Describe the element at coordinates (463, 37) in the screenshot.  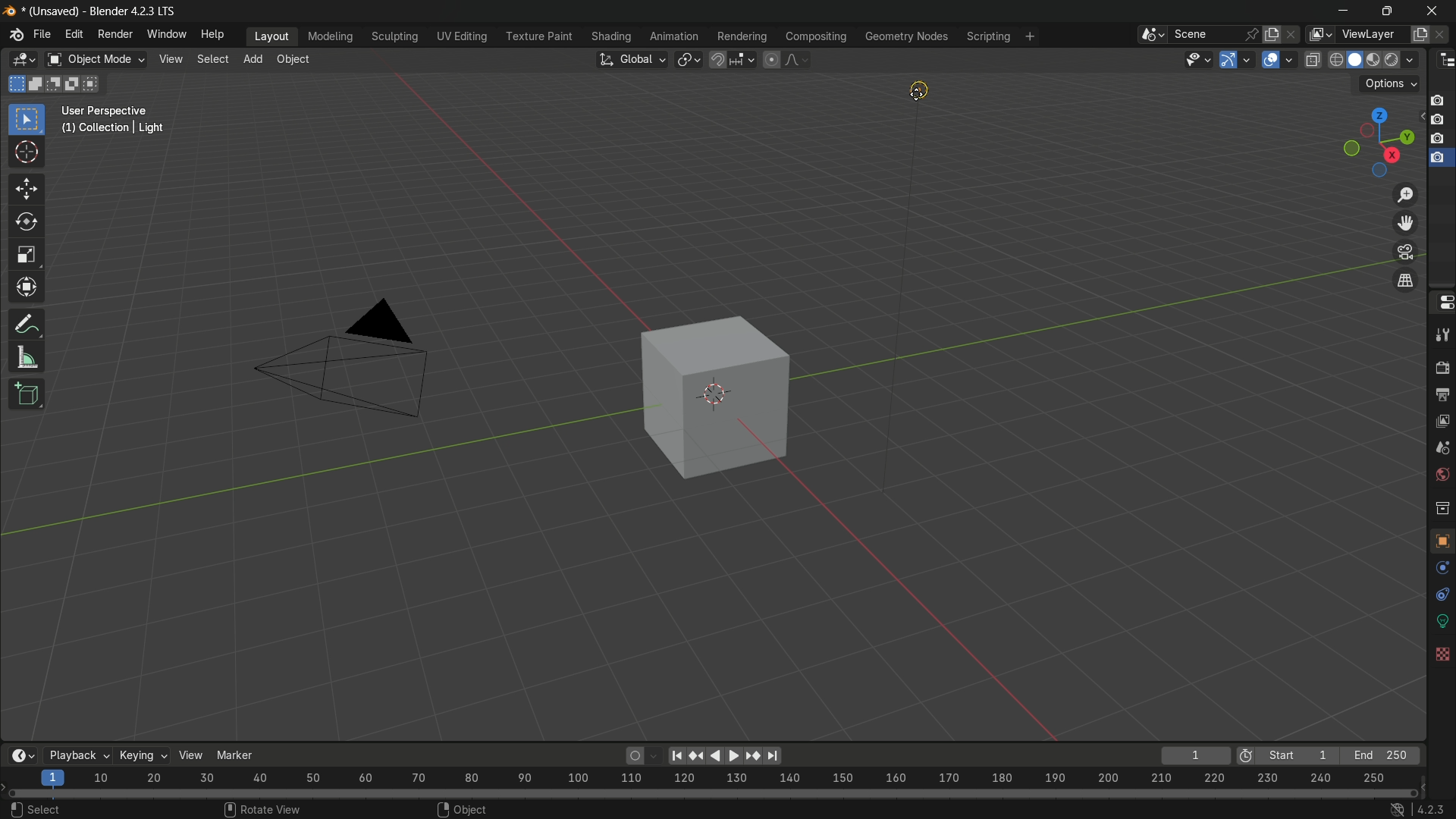
I see `uv editing menu` at that location.